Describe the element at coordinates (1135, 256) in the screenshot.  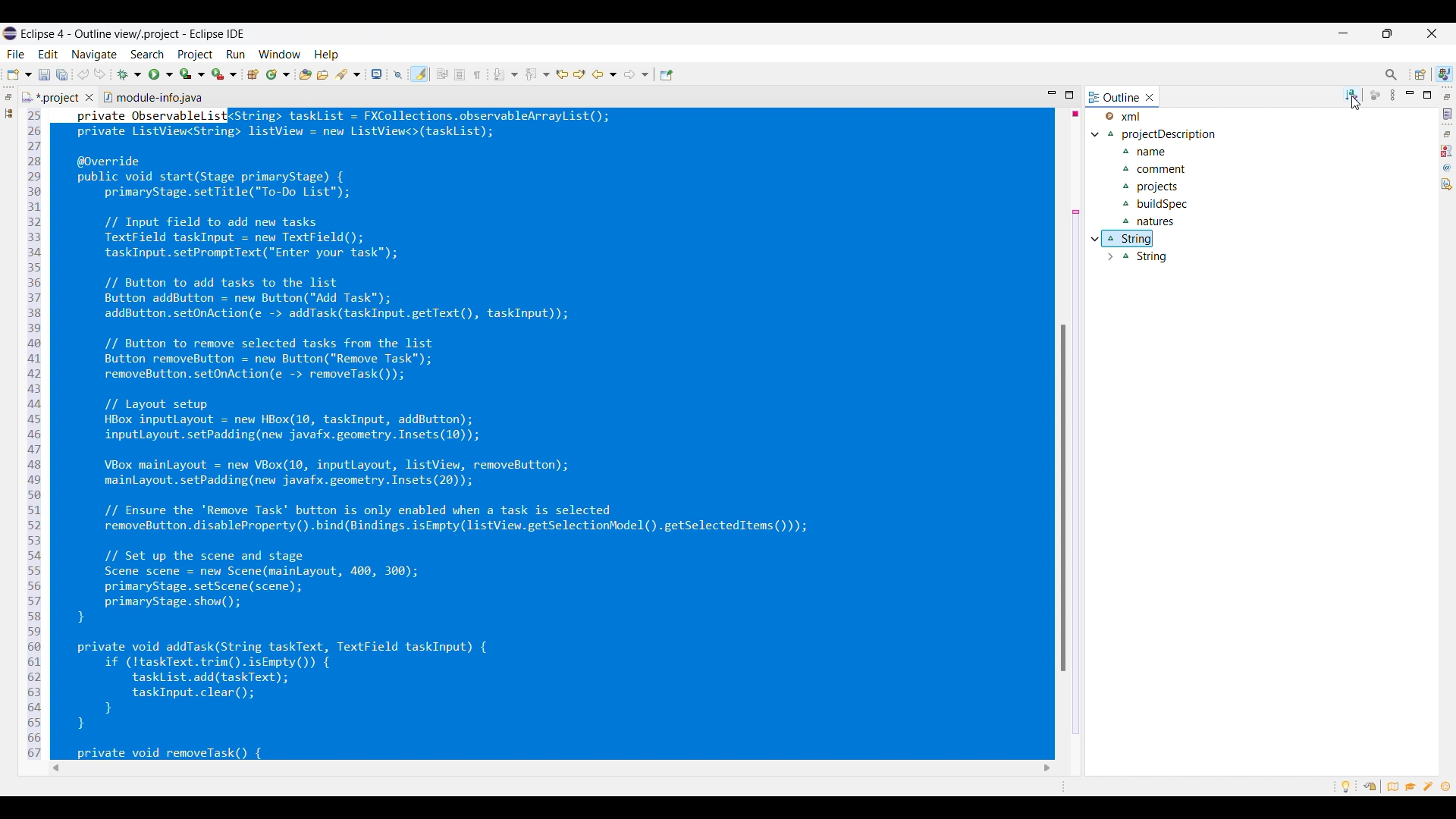
I see `string` at that location.